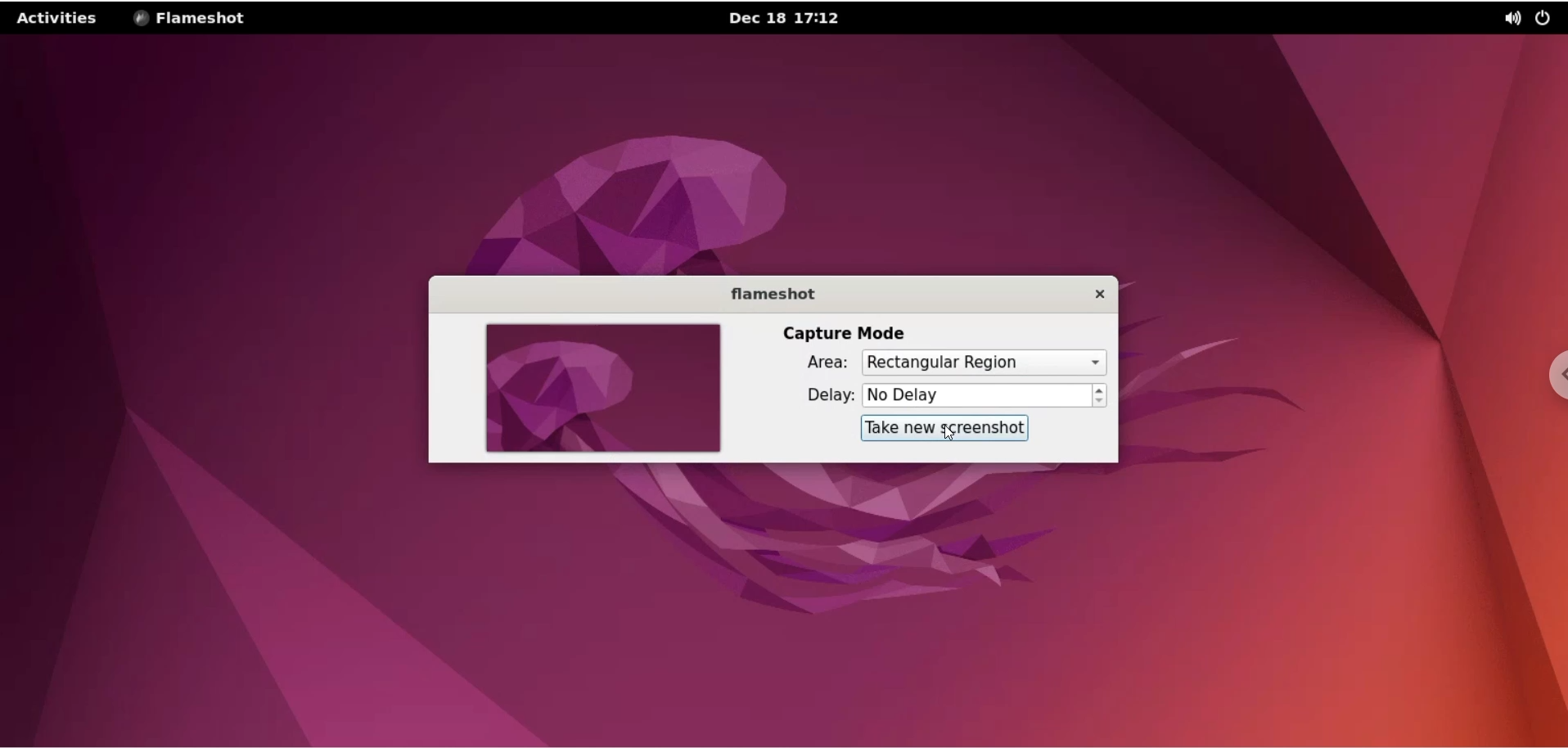 This screenshot has height=748, width=1568. I want to click on take a new screenshot, so click(947, 428).